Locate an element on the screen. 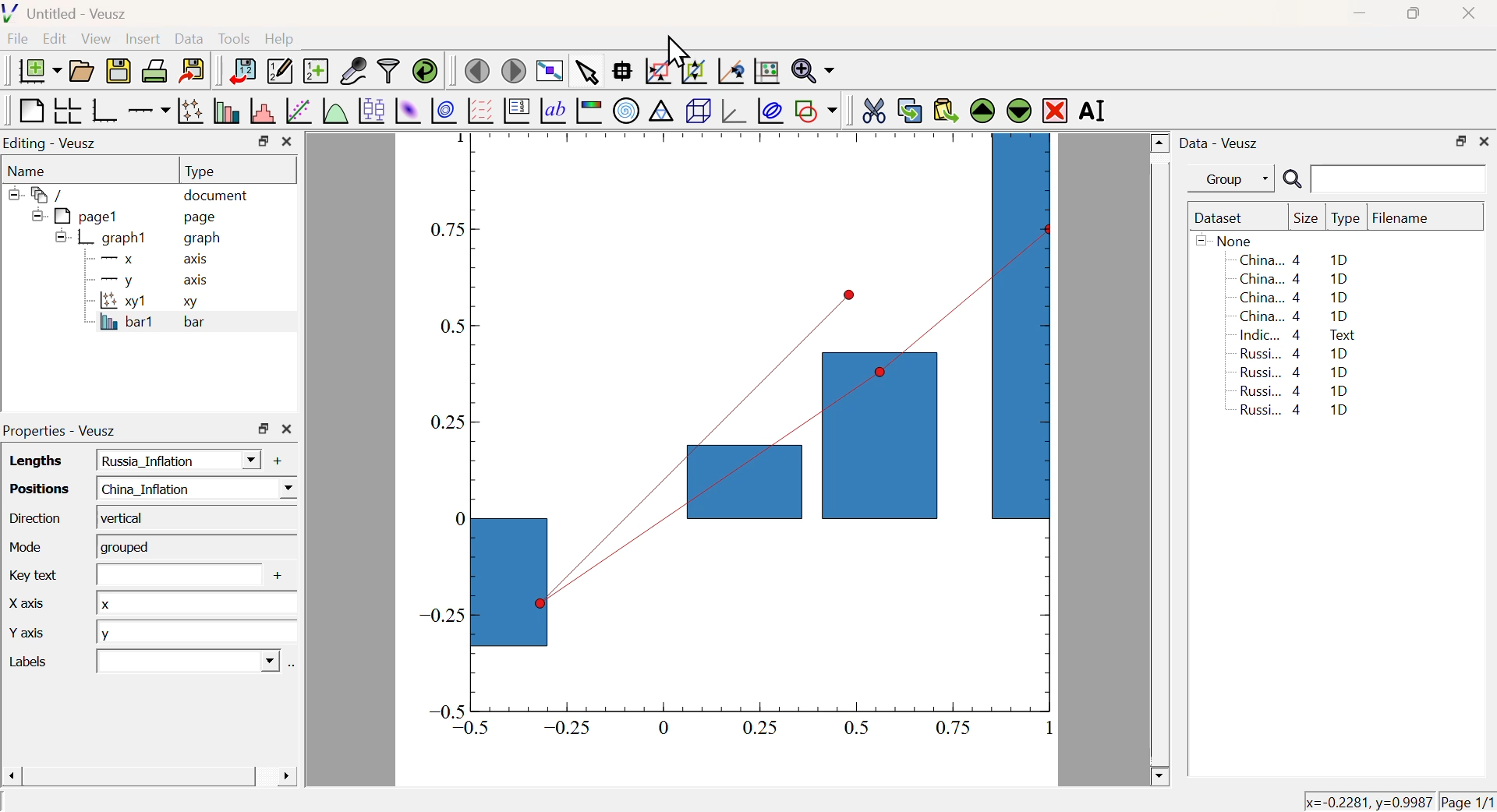 This screenshot has height=812, width=1497. Grouped is located at coordinates (193, 547).